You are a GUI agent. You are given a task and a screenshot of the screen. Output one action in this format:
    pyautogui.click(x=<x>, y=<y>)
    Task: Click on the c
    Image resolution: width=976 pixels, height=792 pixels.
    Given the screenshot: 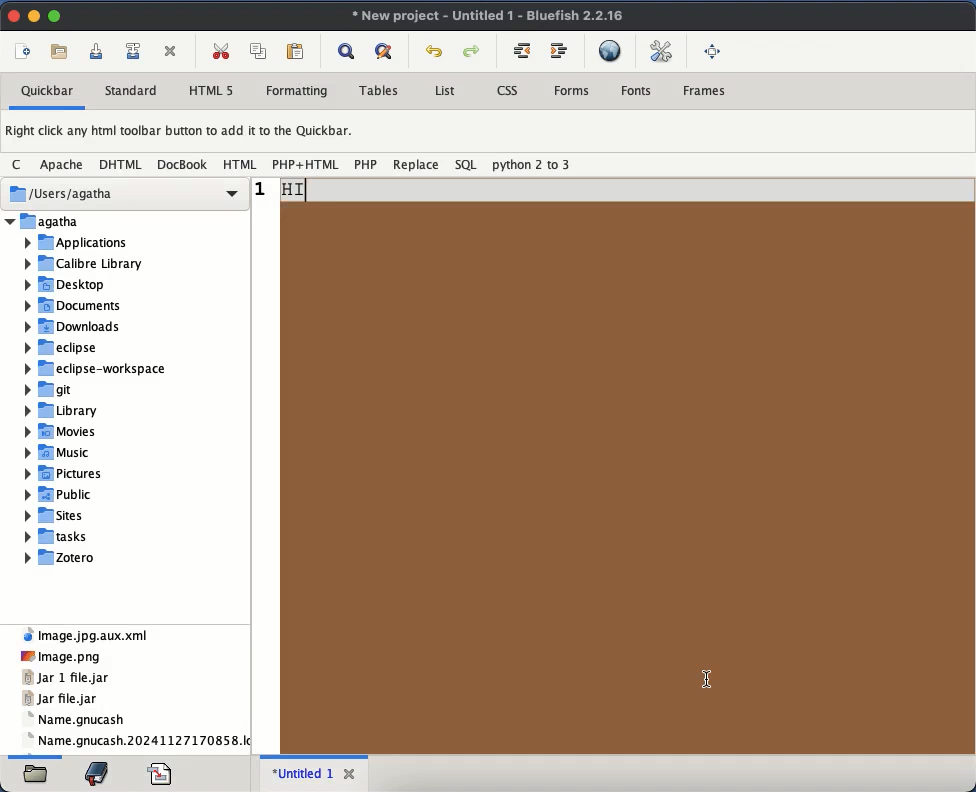 What is the action you would take?
    pyautogui.click(x=18, y=165)
    